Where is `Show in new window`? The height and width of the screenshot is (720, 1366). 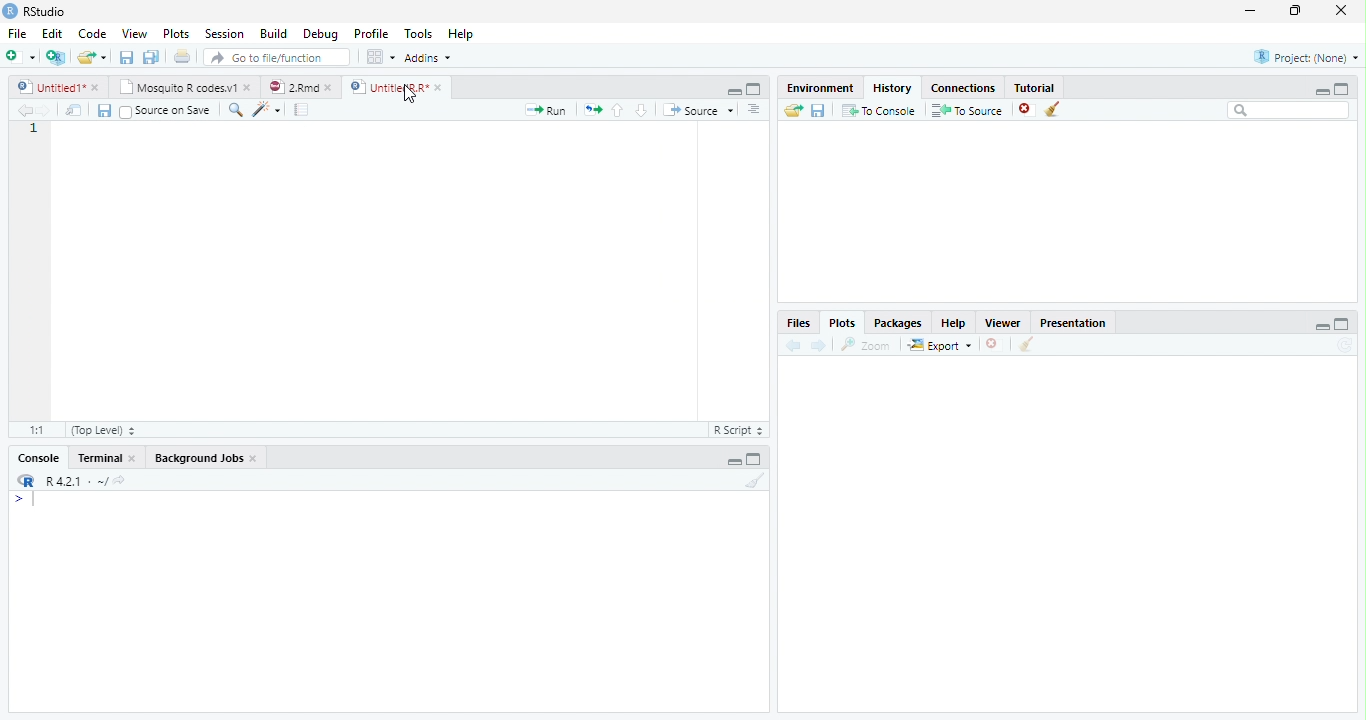
Show in new window is located at coordinates (74, 109).